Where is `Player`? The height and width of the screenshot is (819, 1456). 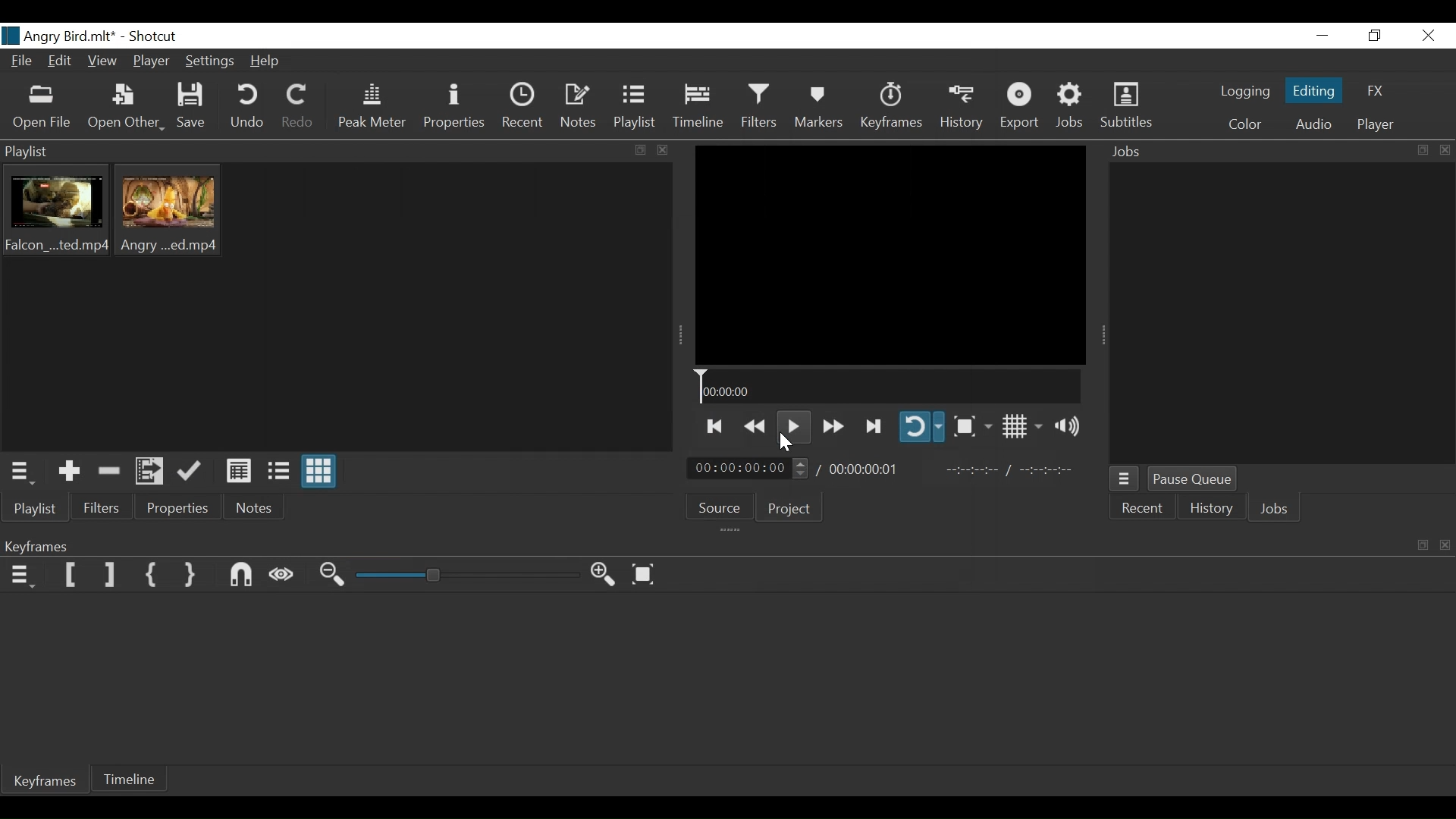 Player is located at coordinates (1378, 124).